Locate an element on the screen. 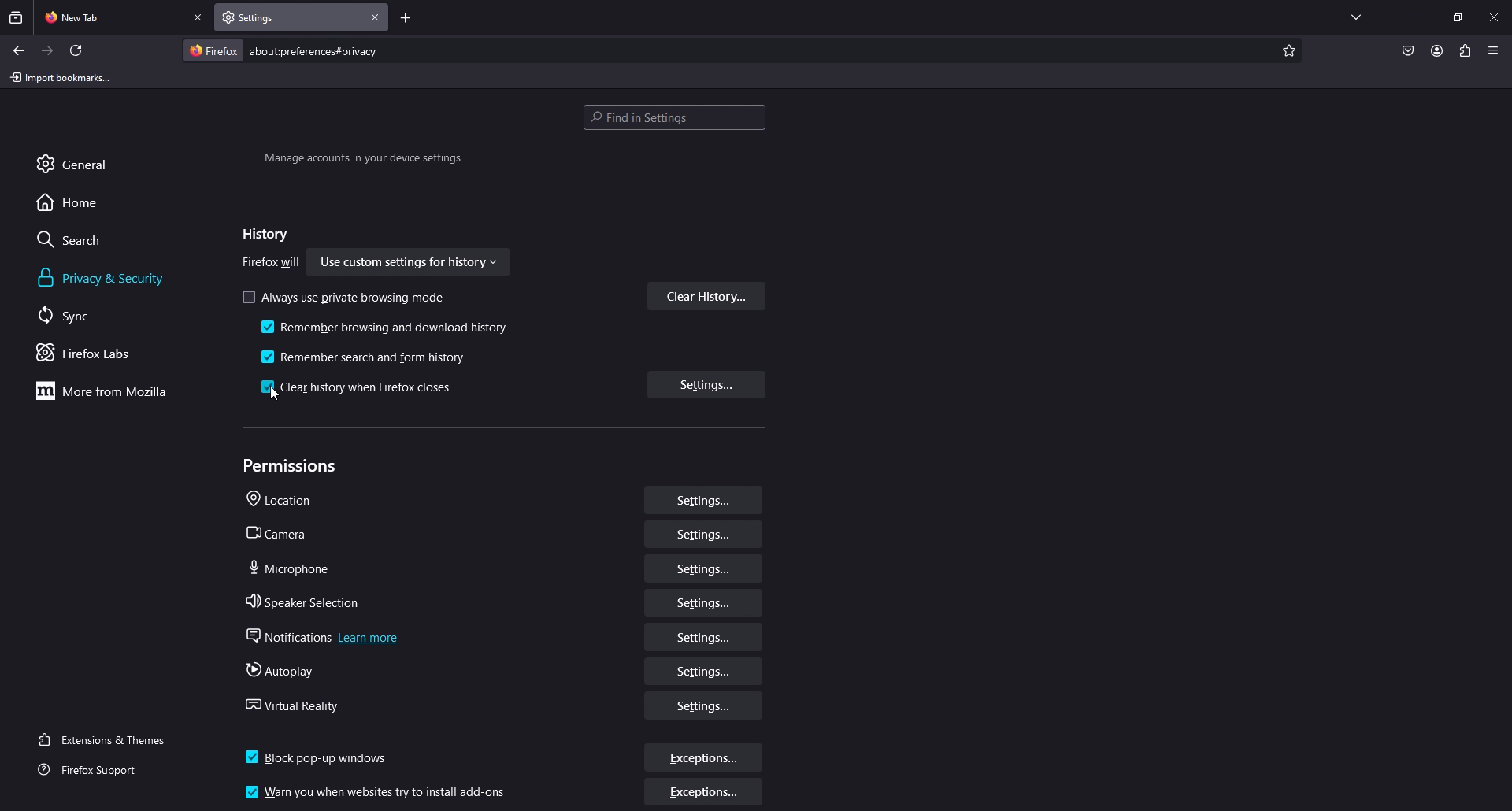  home is located at coordinates (81, 202).